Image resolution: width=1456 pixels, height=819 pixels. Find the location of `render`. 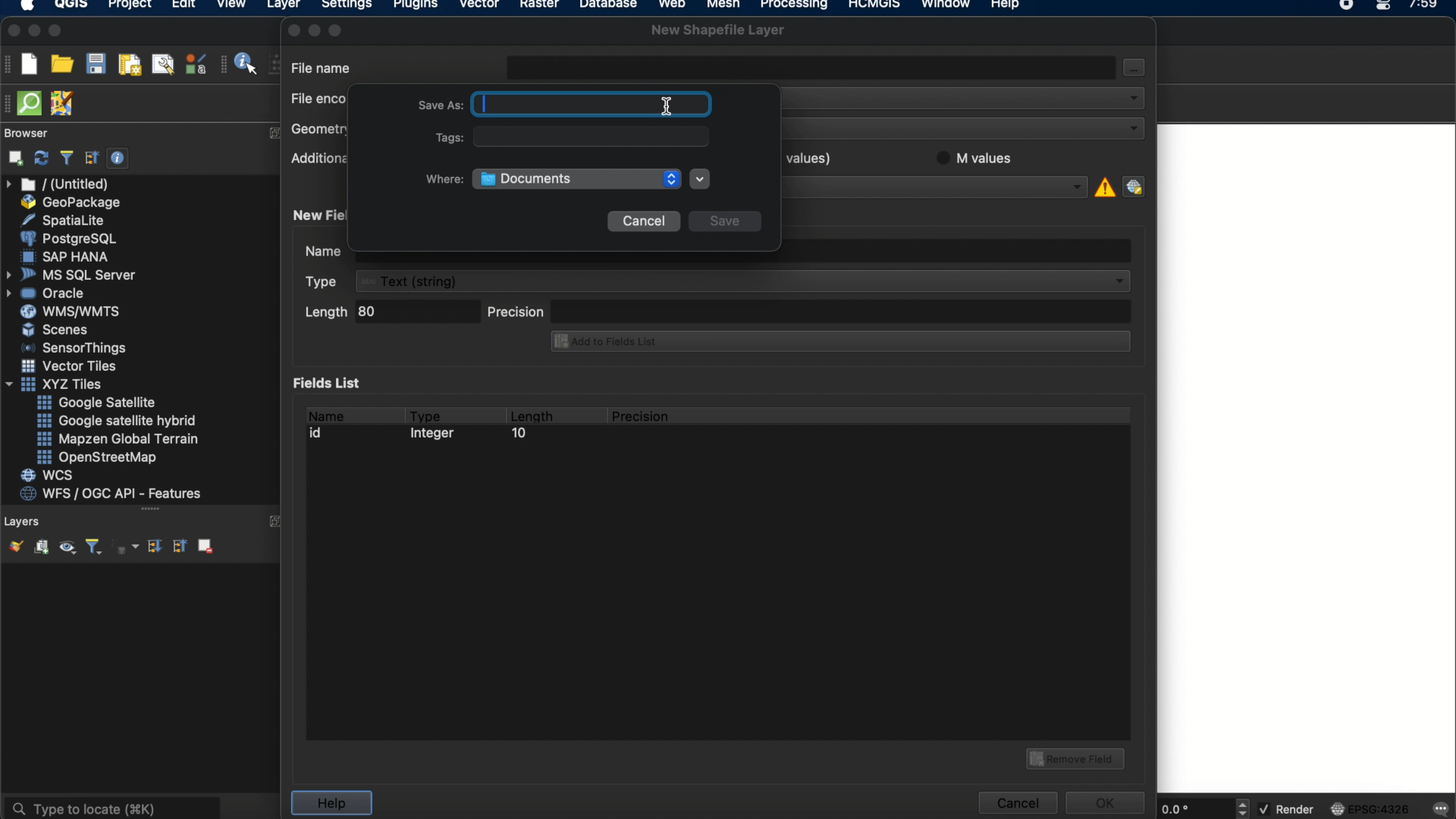

render is located at coordinates (1288, 810).